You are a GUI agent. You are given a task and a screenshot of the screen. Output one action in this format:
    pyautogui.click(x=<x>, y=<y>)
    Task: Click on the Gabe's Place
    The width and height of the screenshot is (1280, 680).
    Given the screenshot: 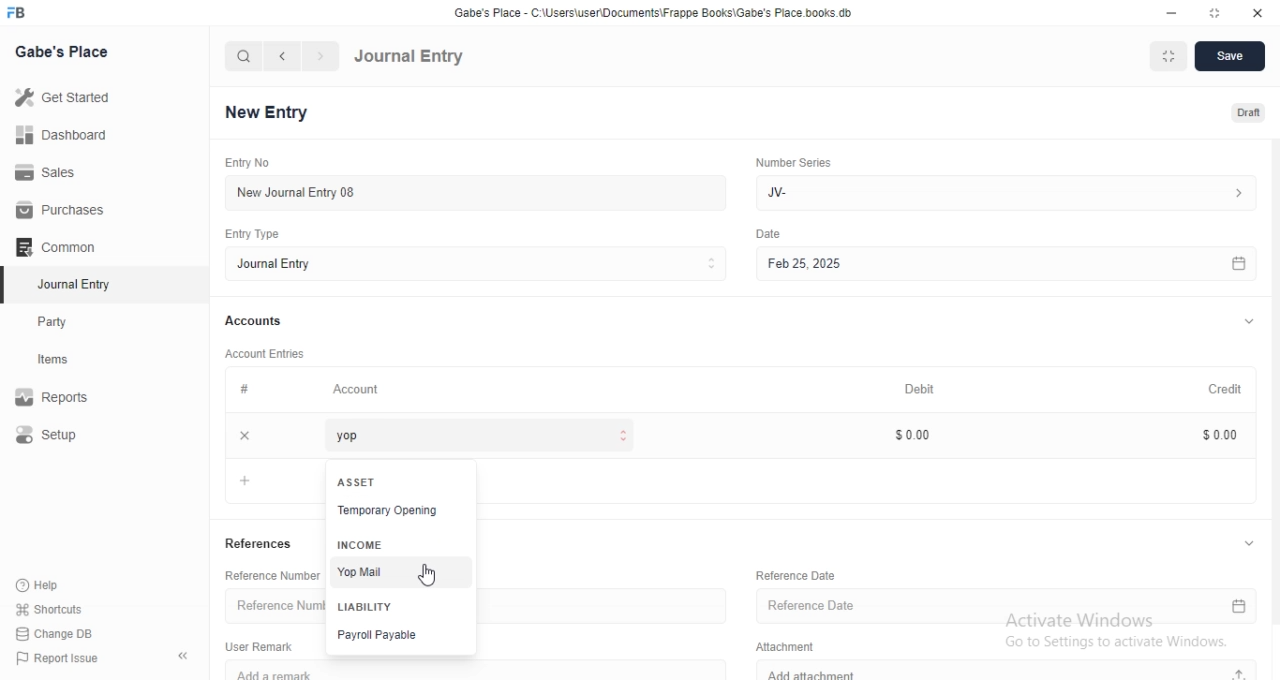 What is the action you would take?
    pyautogui.click(x=61, y=52)
    